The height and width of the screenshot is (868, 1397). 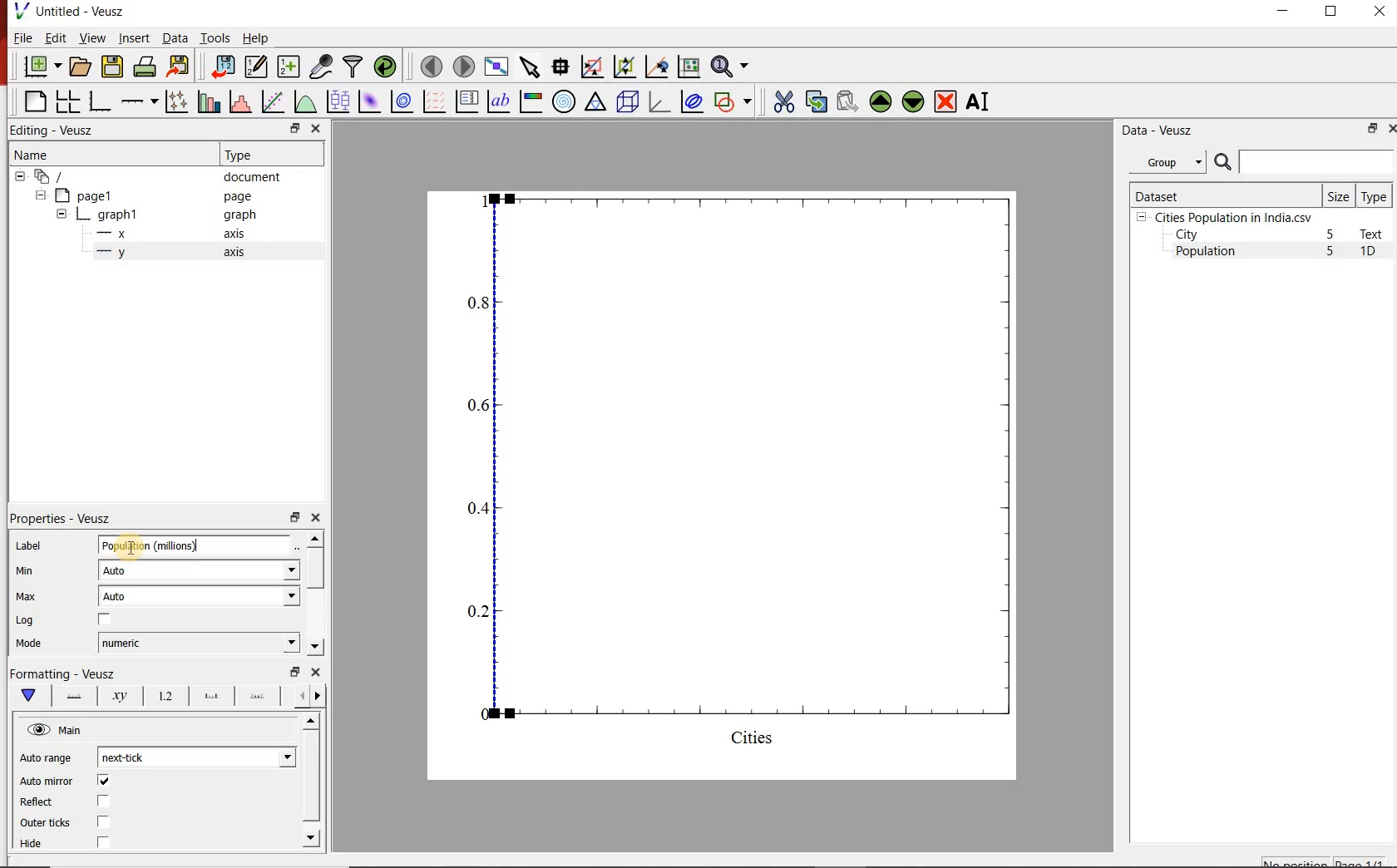 I want to click on restore, so click(x=1373, y=128).